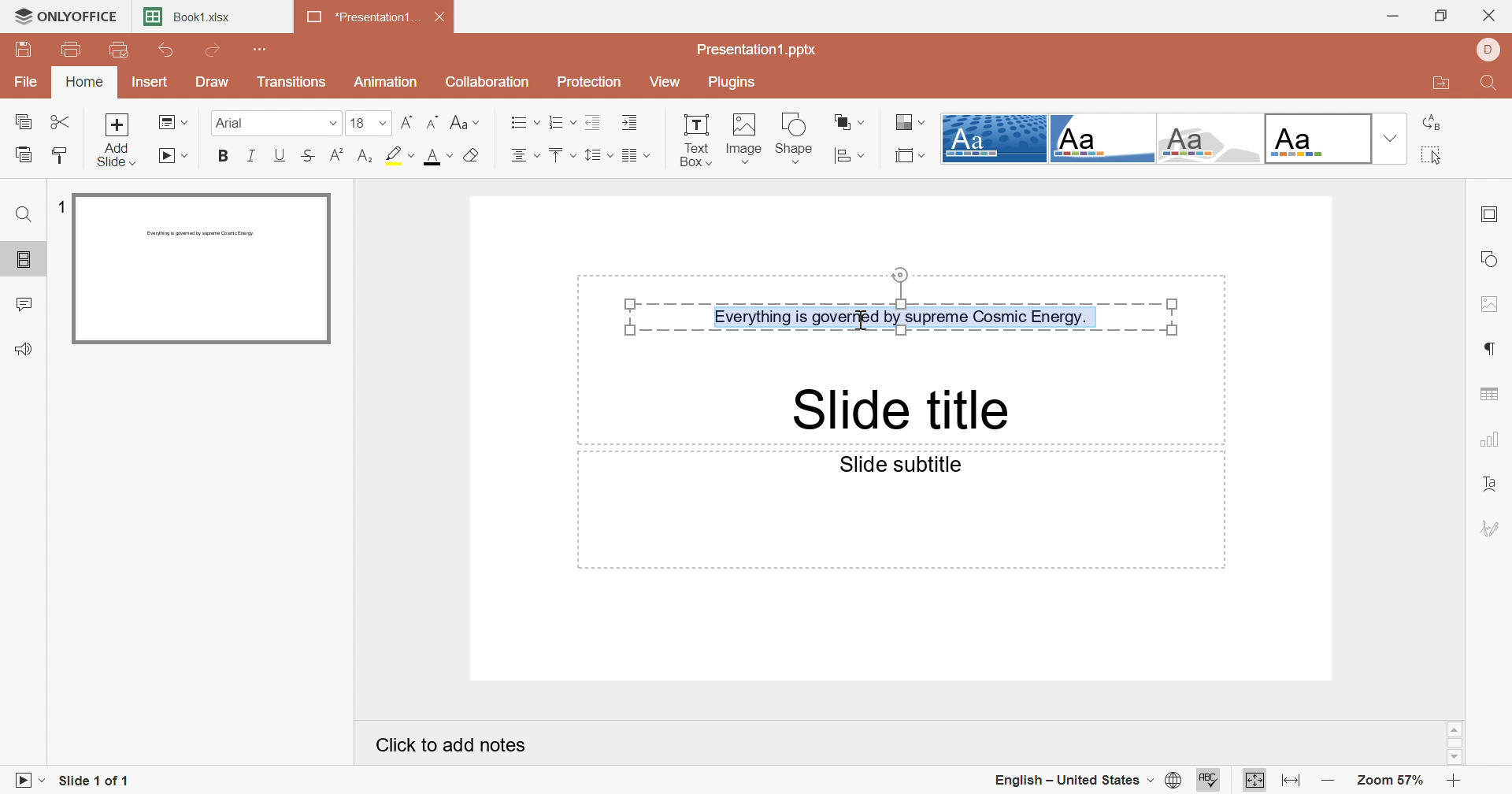  Describe the element at coordinates (280, 154) in the screenshot. I see `Underline` at that location.